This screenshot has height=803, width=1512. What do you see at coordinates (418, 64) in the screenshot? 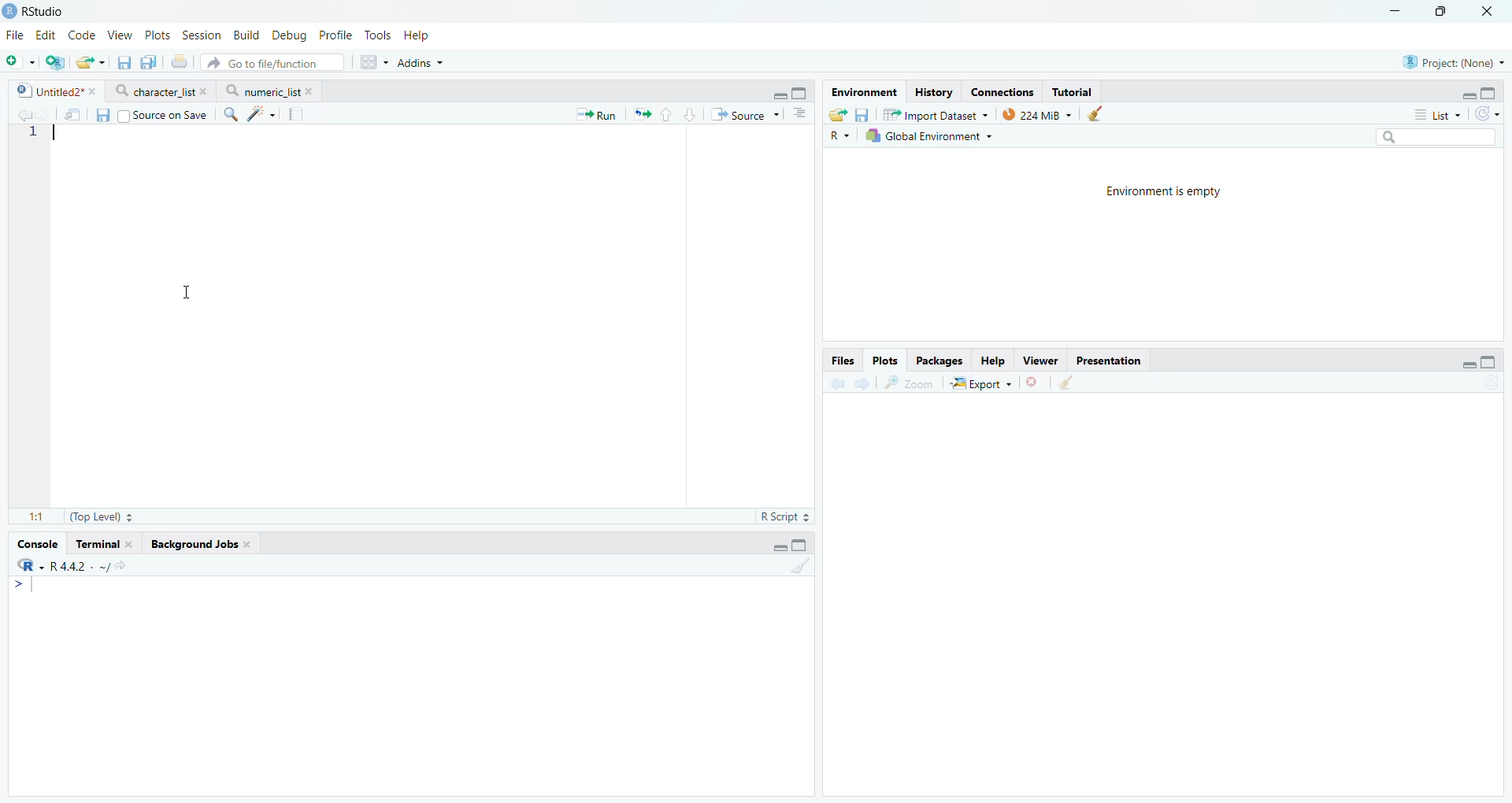
I see `Addins` at bounding box center [418, 64].